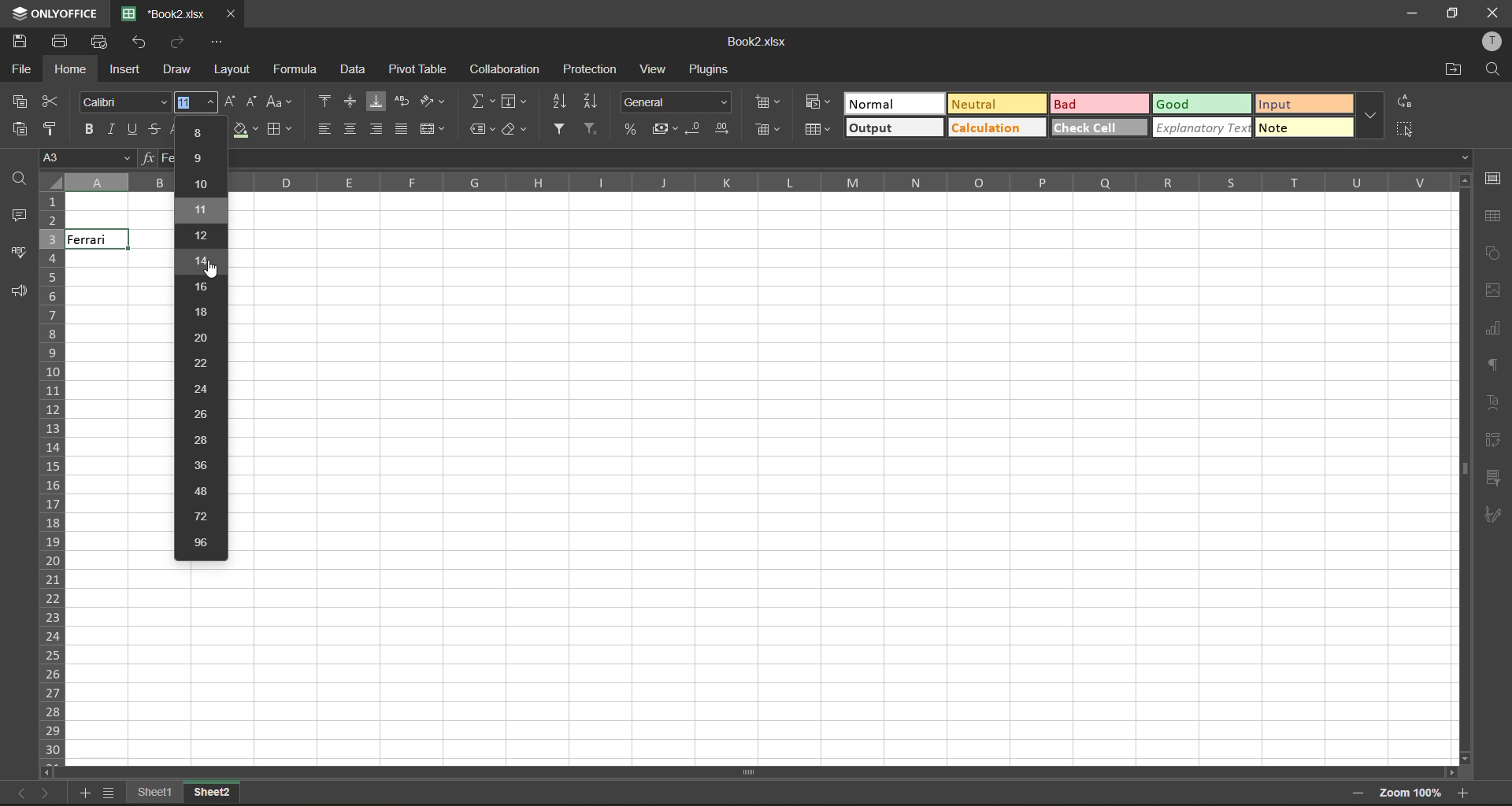  I want to click on feedback, so click(19, 293).